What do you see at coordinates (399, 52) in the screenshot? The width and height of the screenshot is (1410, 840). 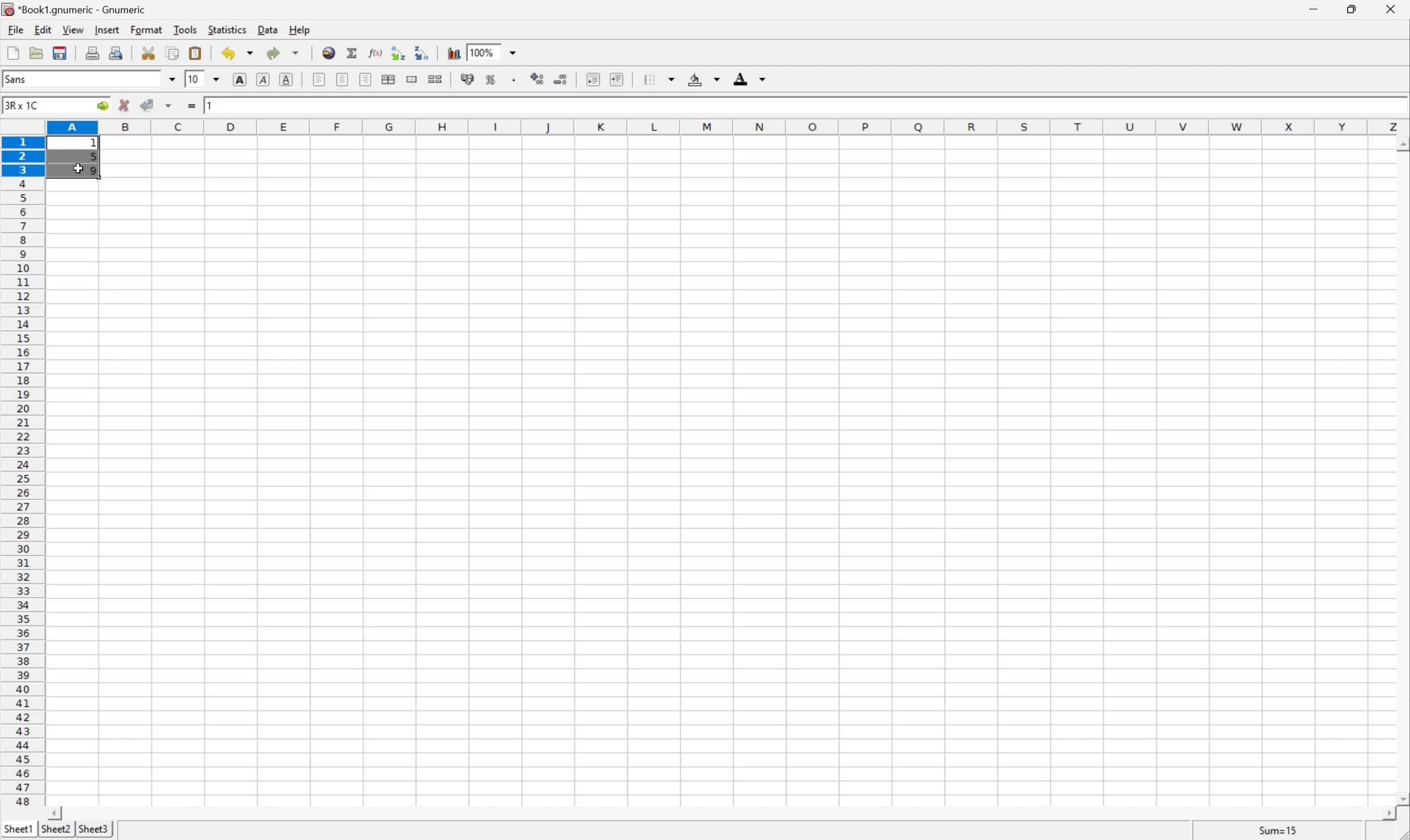 I see `Sort the selected region in ascending order based on the first column selected` at bounding box center [399, 52].